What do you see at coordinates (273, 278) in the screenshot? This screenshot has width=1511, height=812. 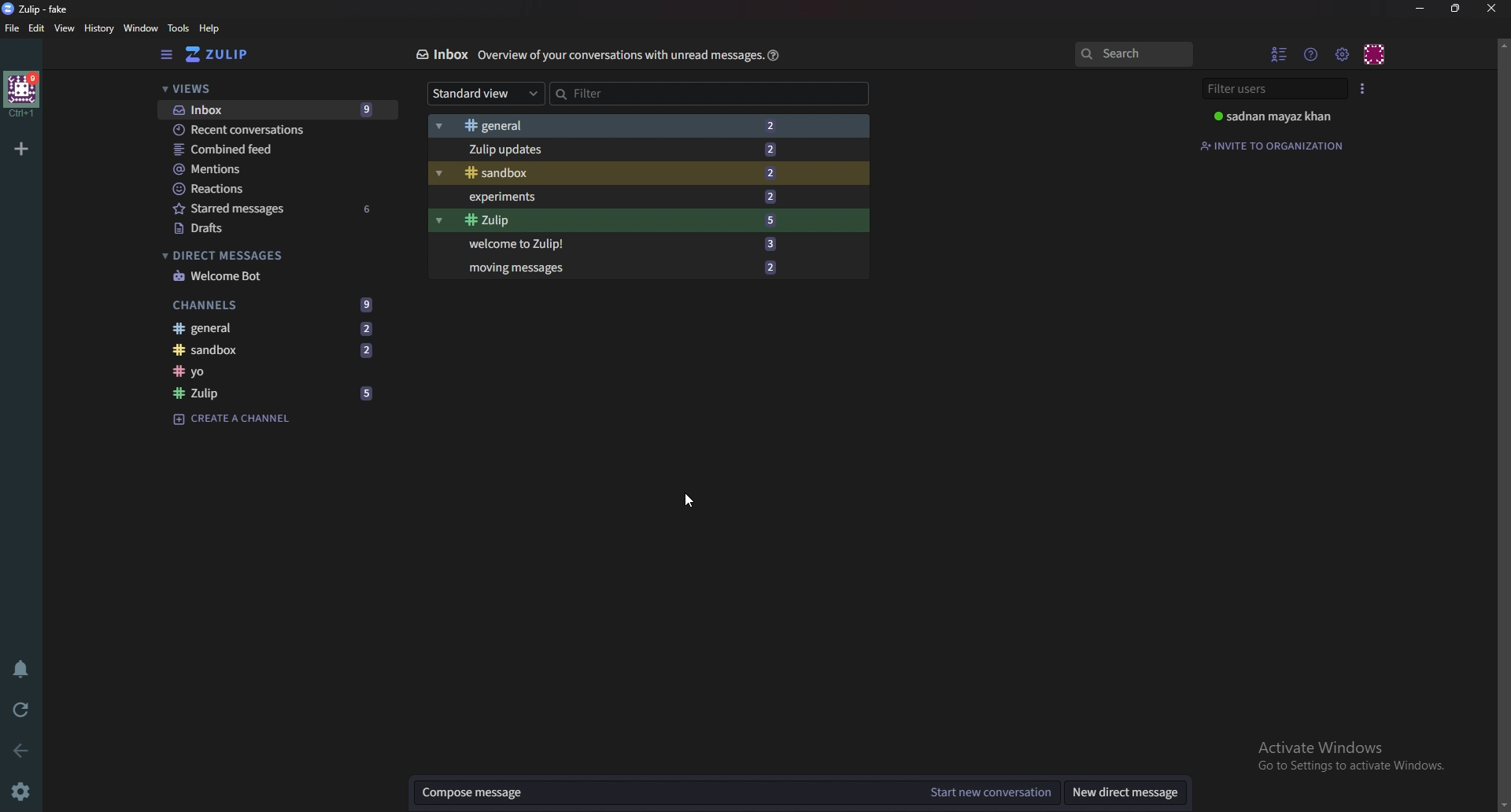 I see `Welcome bot` at bounding box center [273, 278].